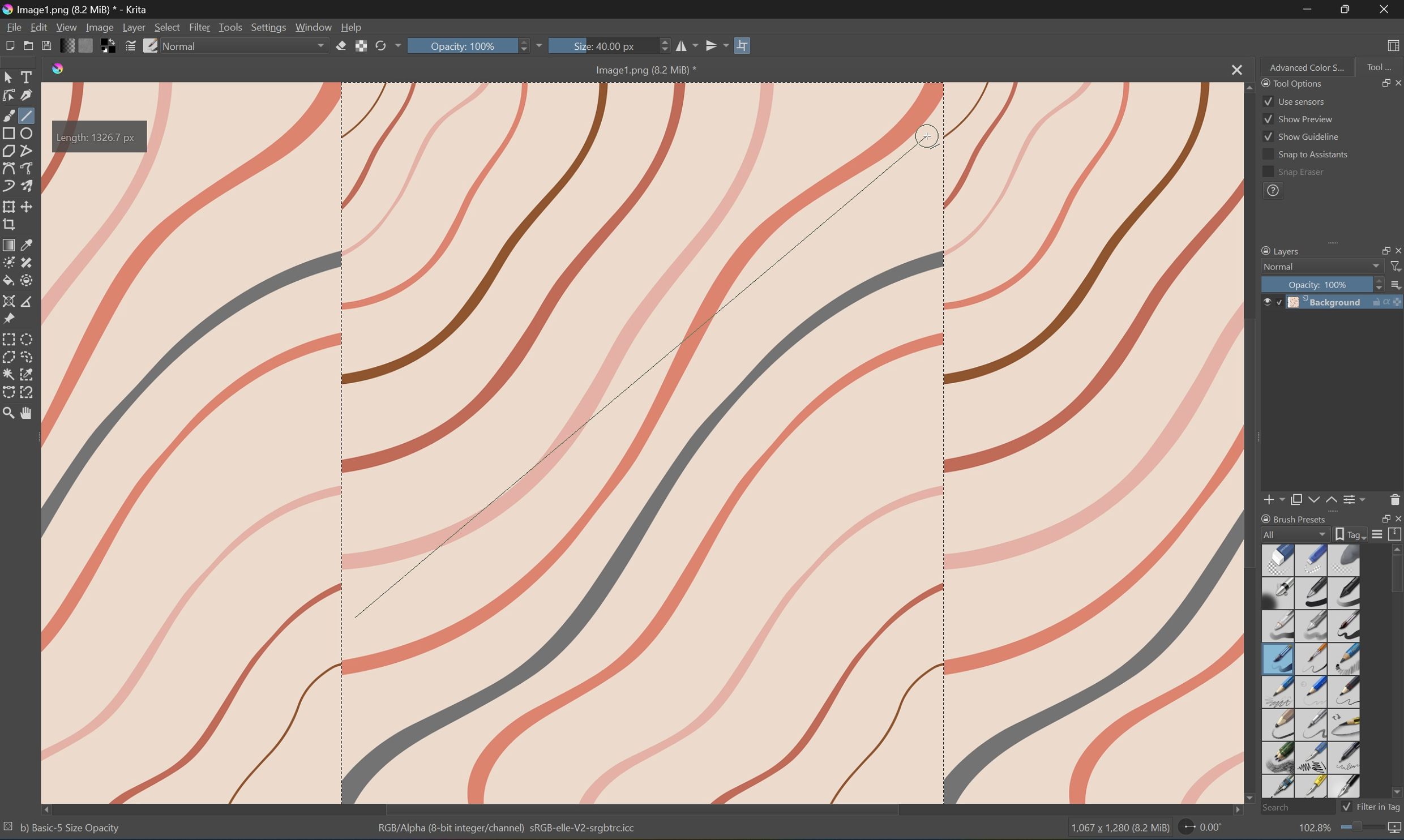 The image size is (1404, 840). Describe the element at coordinates (28, 115) in the screenshot. I see `Line tool` at that location.